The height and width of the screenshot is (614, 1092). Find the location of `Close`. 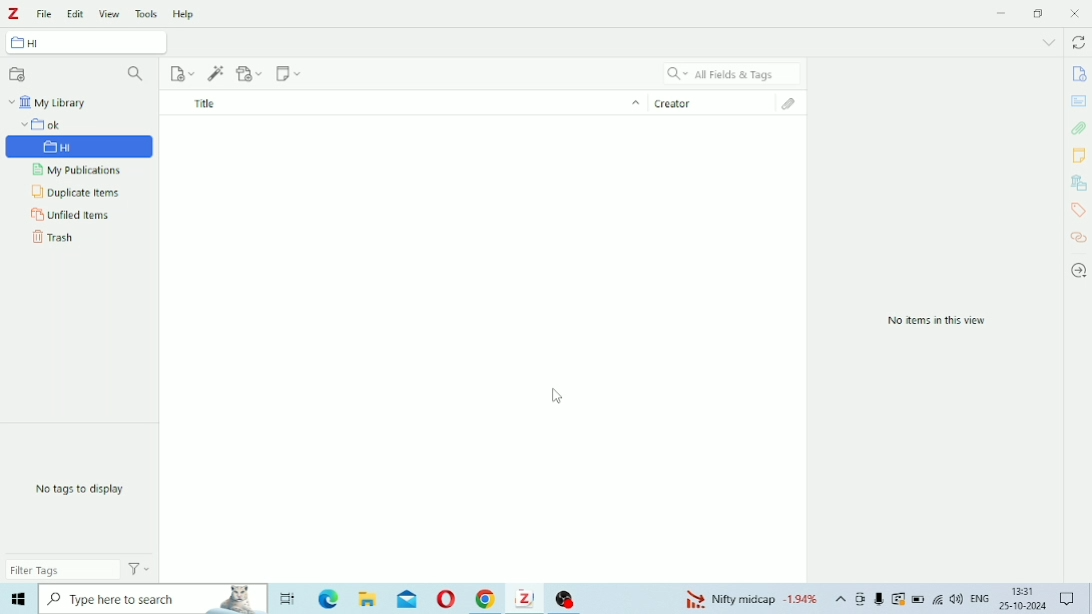

Close is located at coordinates (1074, 13).